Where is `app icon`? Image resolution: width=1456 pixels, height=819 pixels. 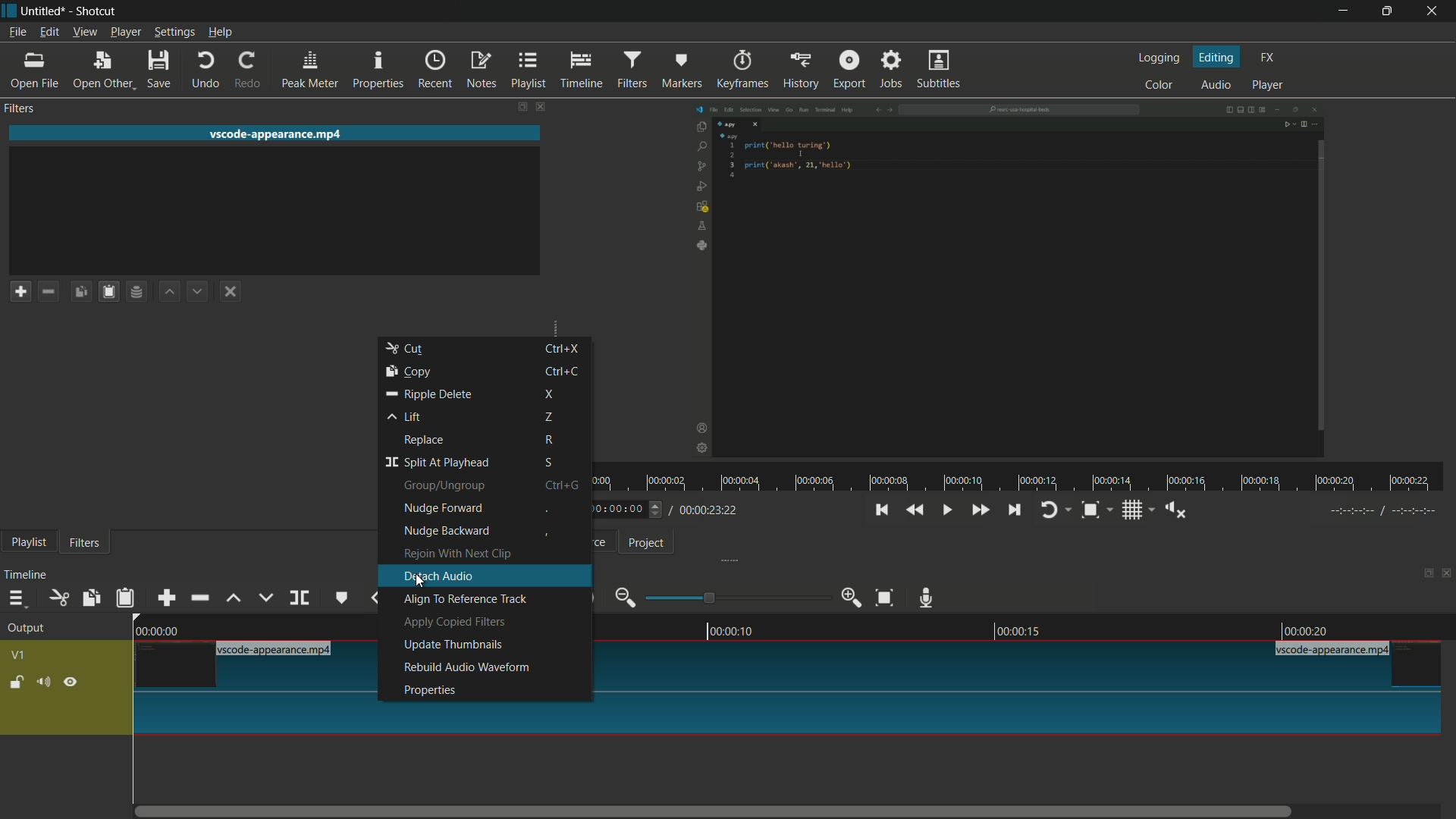
app icon is located at coordinates (9, 10).